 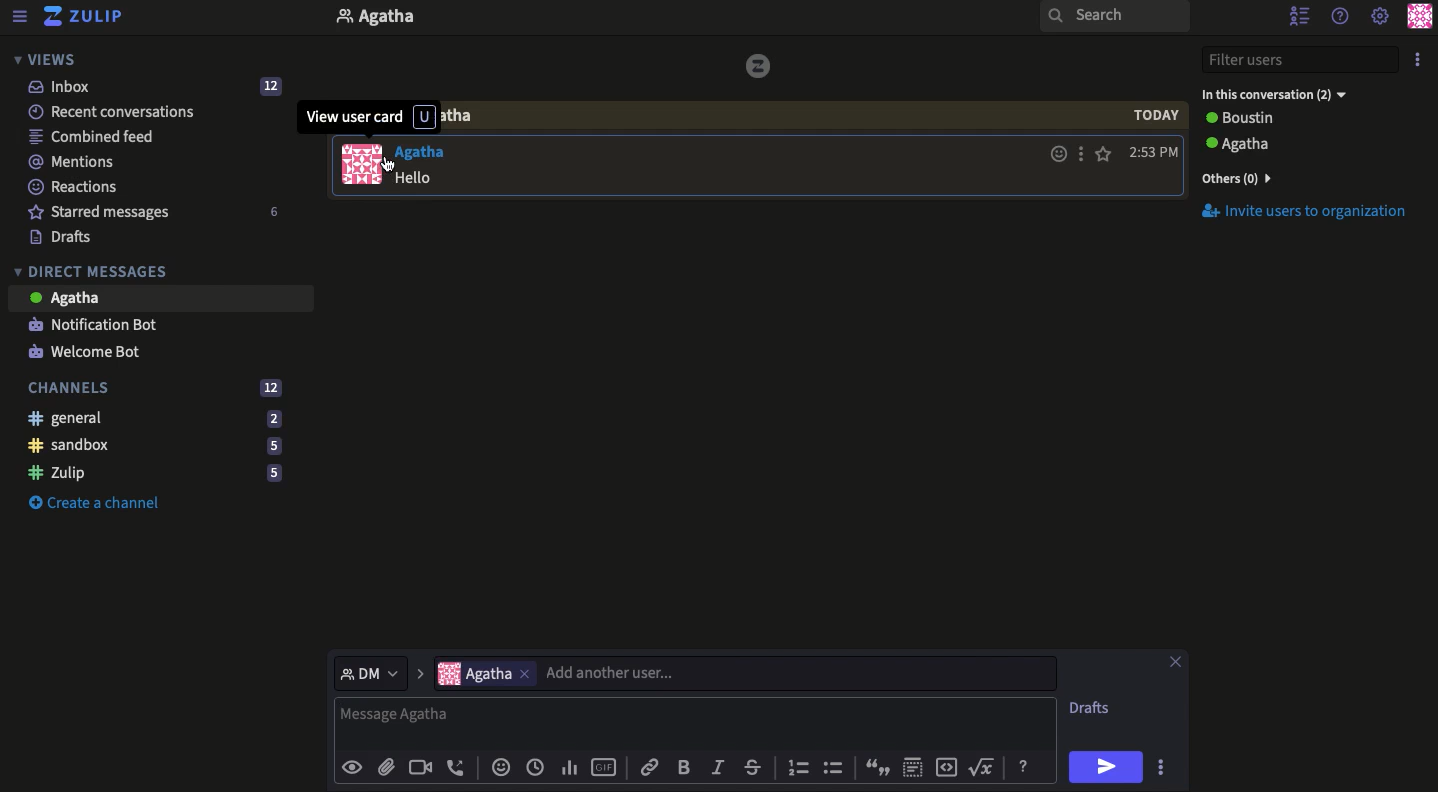 I want to click on Number bullet, so click(x=798, y=768).